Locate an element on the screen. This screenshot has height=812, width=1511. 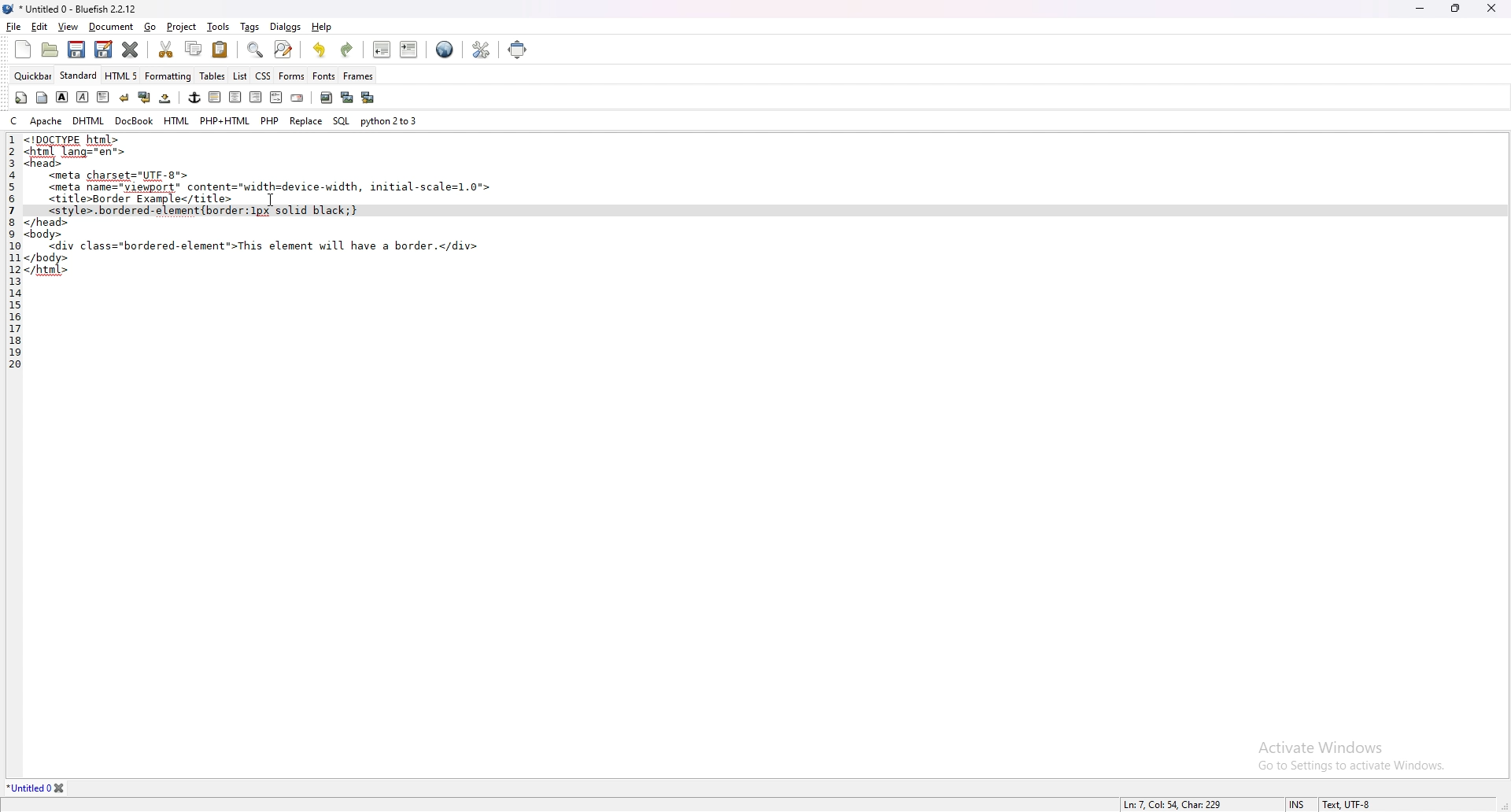
help is located at coordinates (323, 26).